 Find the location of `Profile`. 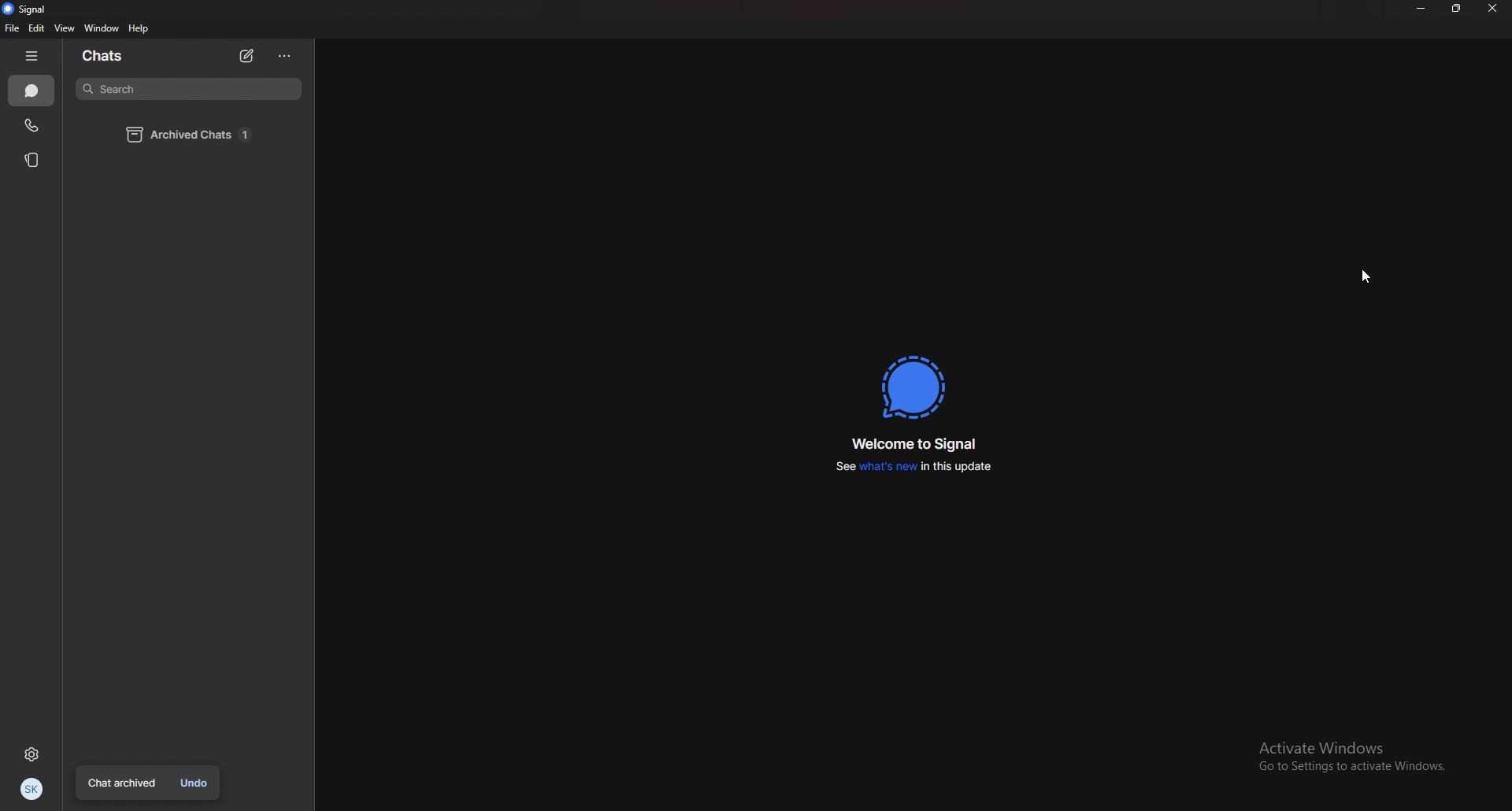

Profile is located at coordinates (33, 789).